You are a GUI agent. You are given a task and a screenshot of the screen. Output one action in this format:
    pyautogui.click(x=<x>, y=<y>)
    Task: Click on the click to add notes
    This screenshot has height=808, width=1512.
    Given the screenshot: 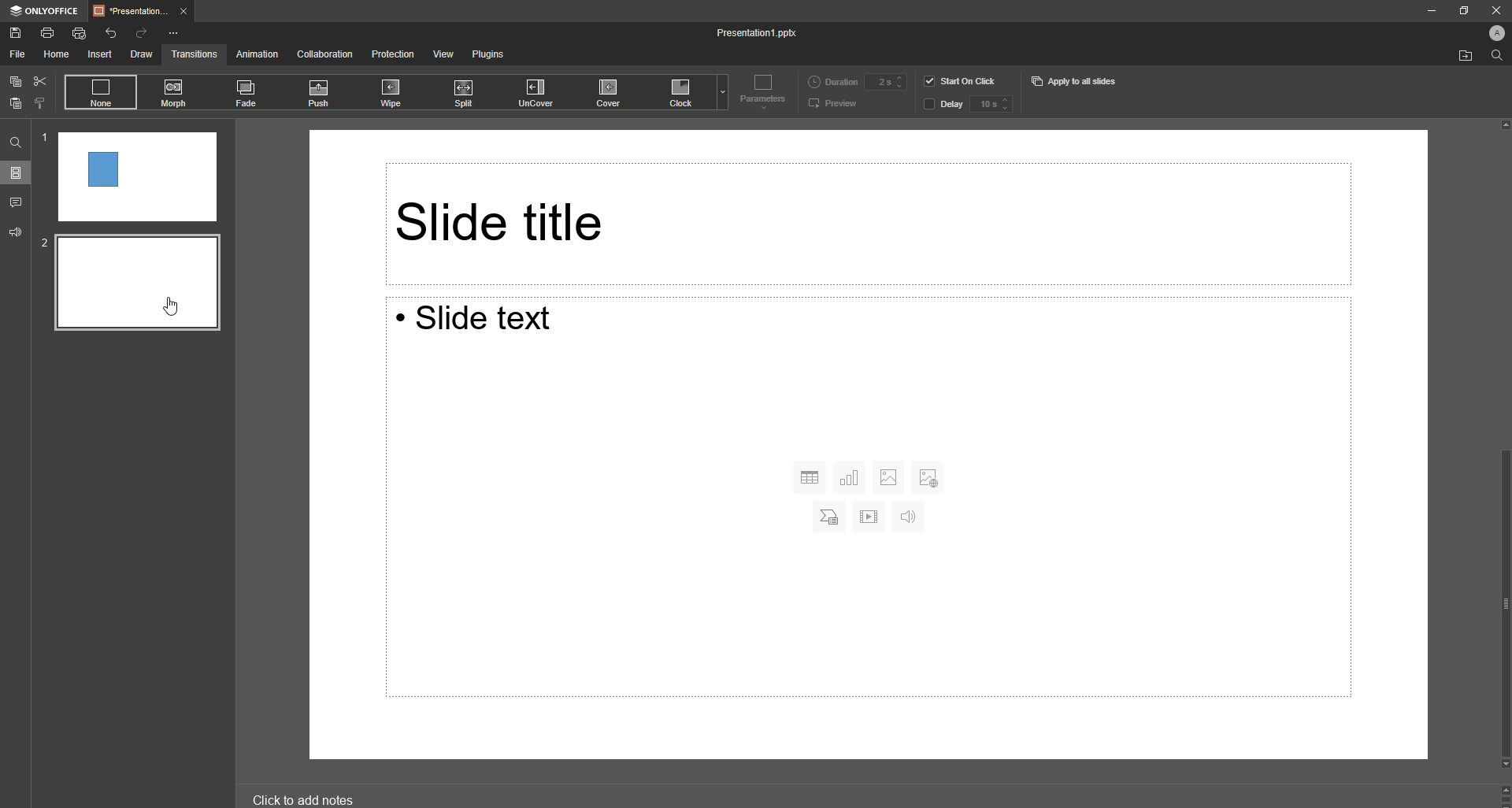 What is the action you would take?
    pyautogui.click(x=307, y=796)
    